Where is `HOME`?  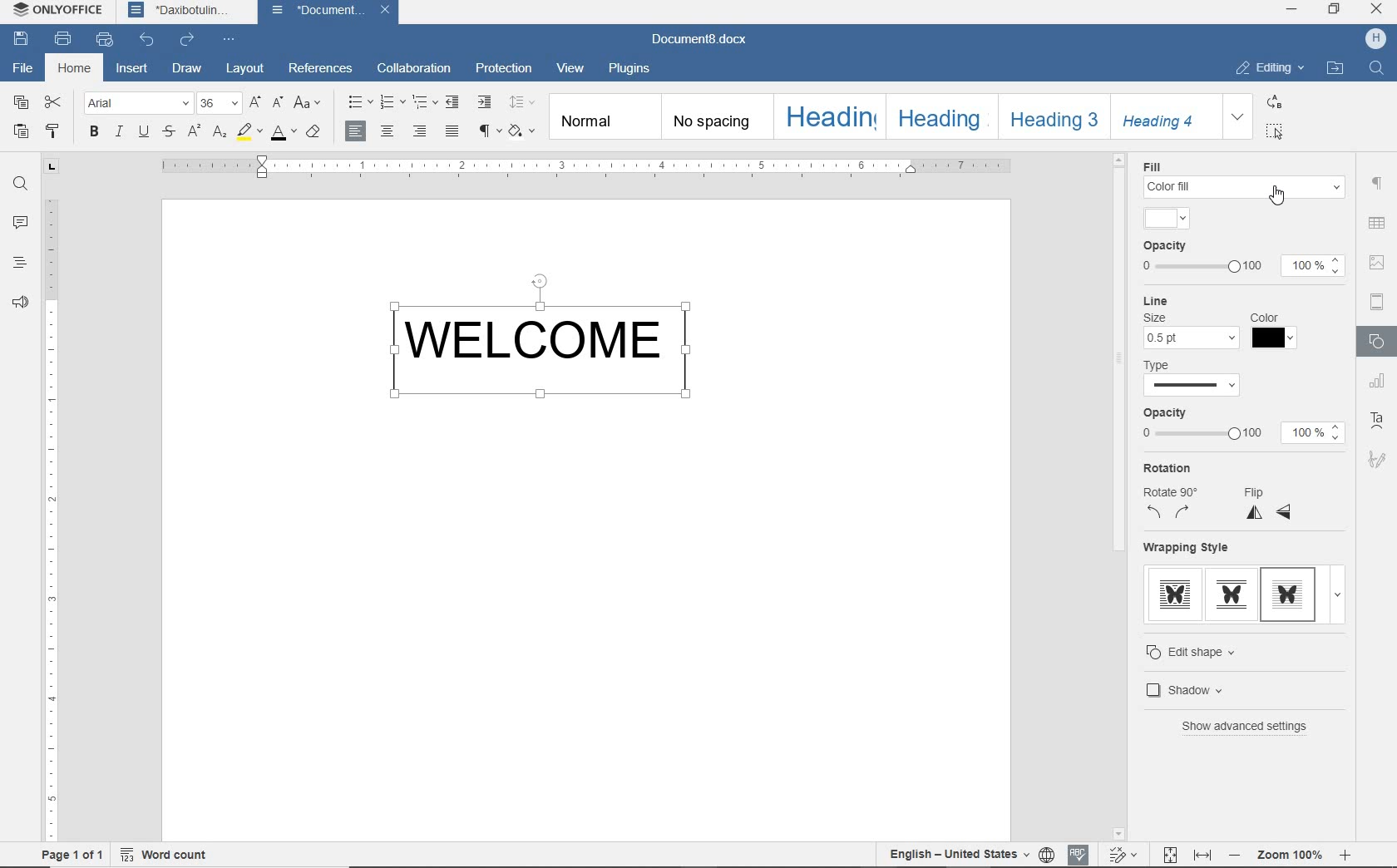 HOME is located at coordinates (76, 69).